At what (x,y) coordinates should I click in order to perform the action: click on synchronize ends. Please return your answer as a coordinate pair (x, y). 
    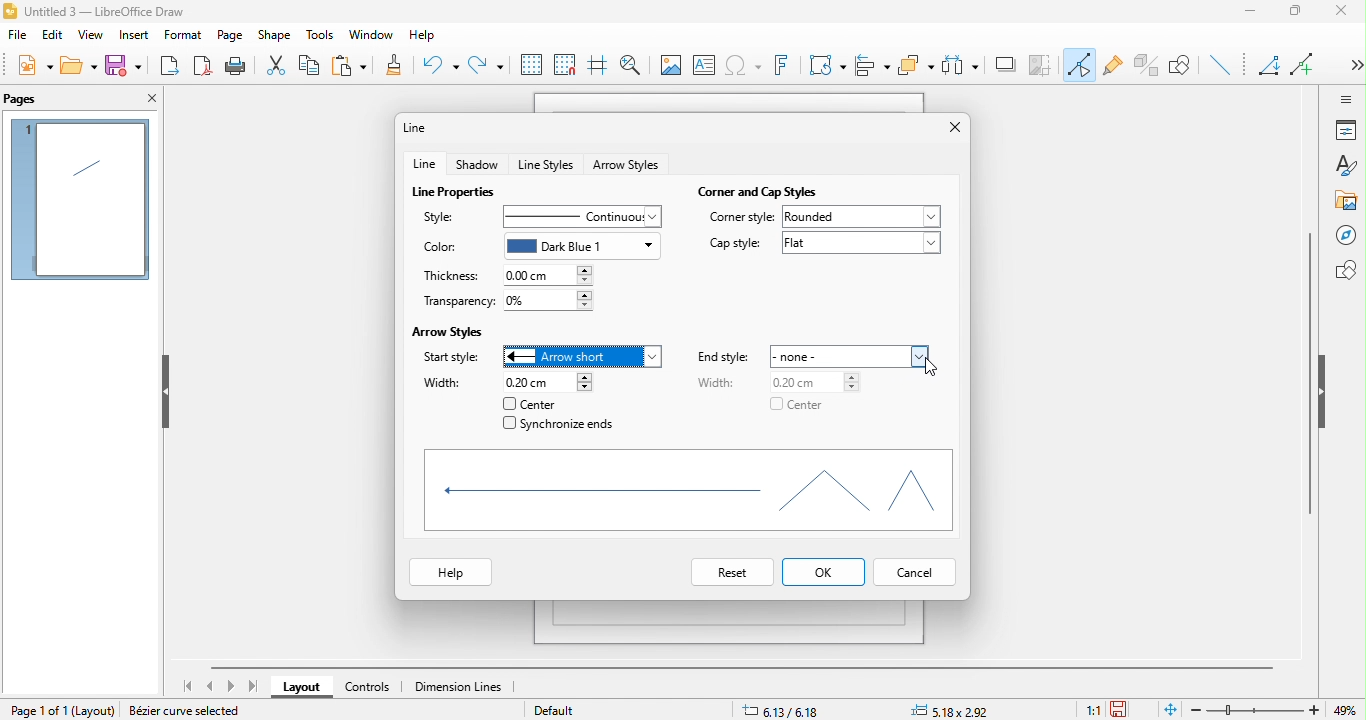
    Looking at the image, I should click on (561, 426).